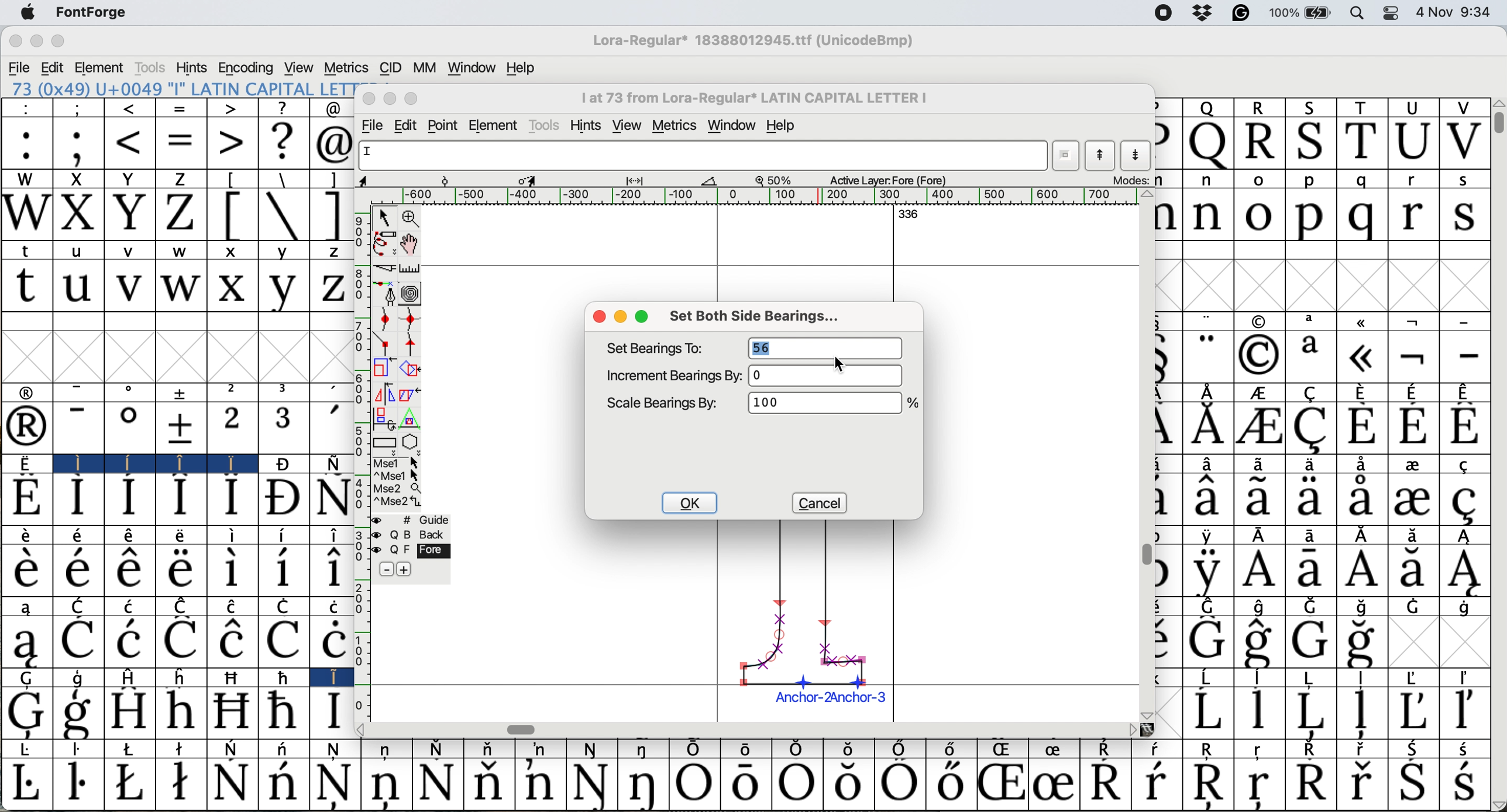 Image resolution: width=1507 pixels, height=812 pixels. Describe the element at coordinates (1414, 569) in the screenshot. I see `Symbol` at that location.